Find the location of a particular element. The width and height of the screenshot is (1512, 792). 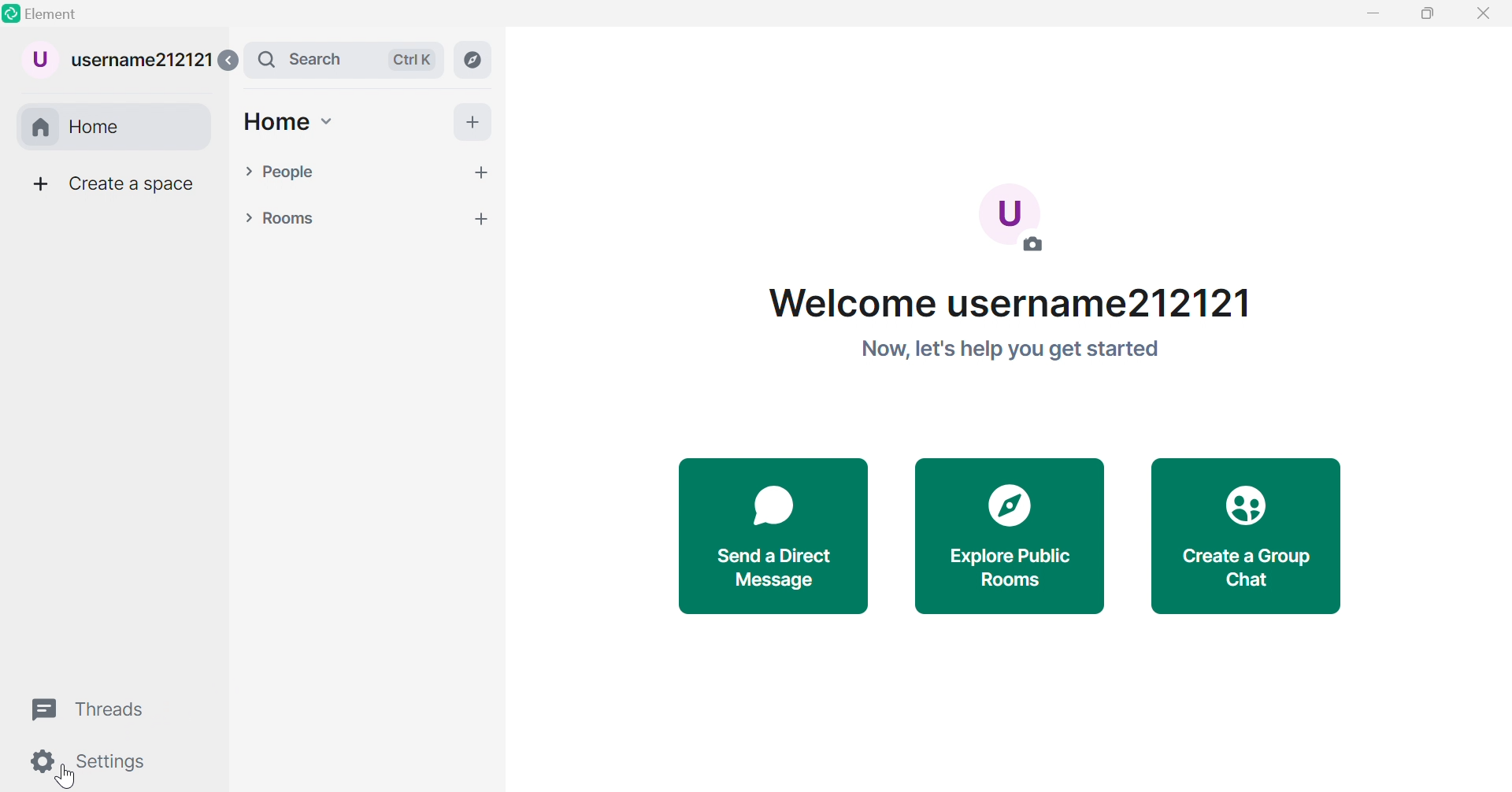

More is located at coordinates (39, 184).